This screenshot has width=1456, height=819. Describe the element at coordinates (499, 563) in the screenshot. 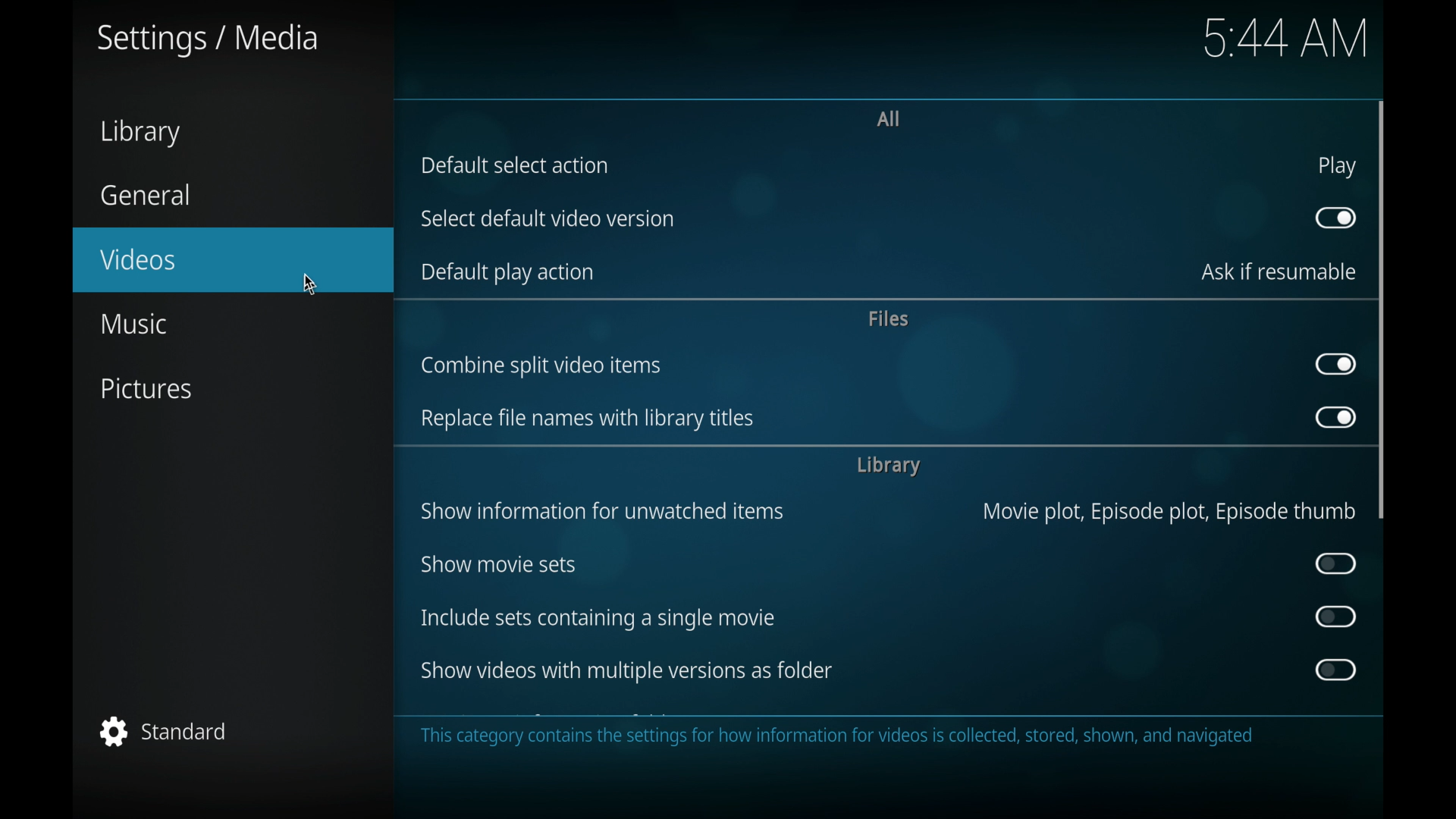

I see `show movie sets` at that location.